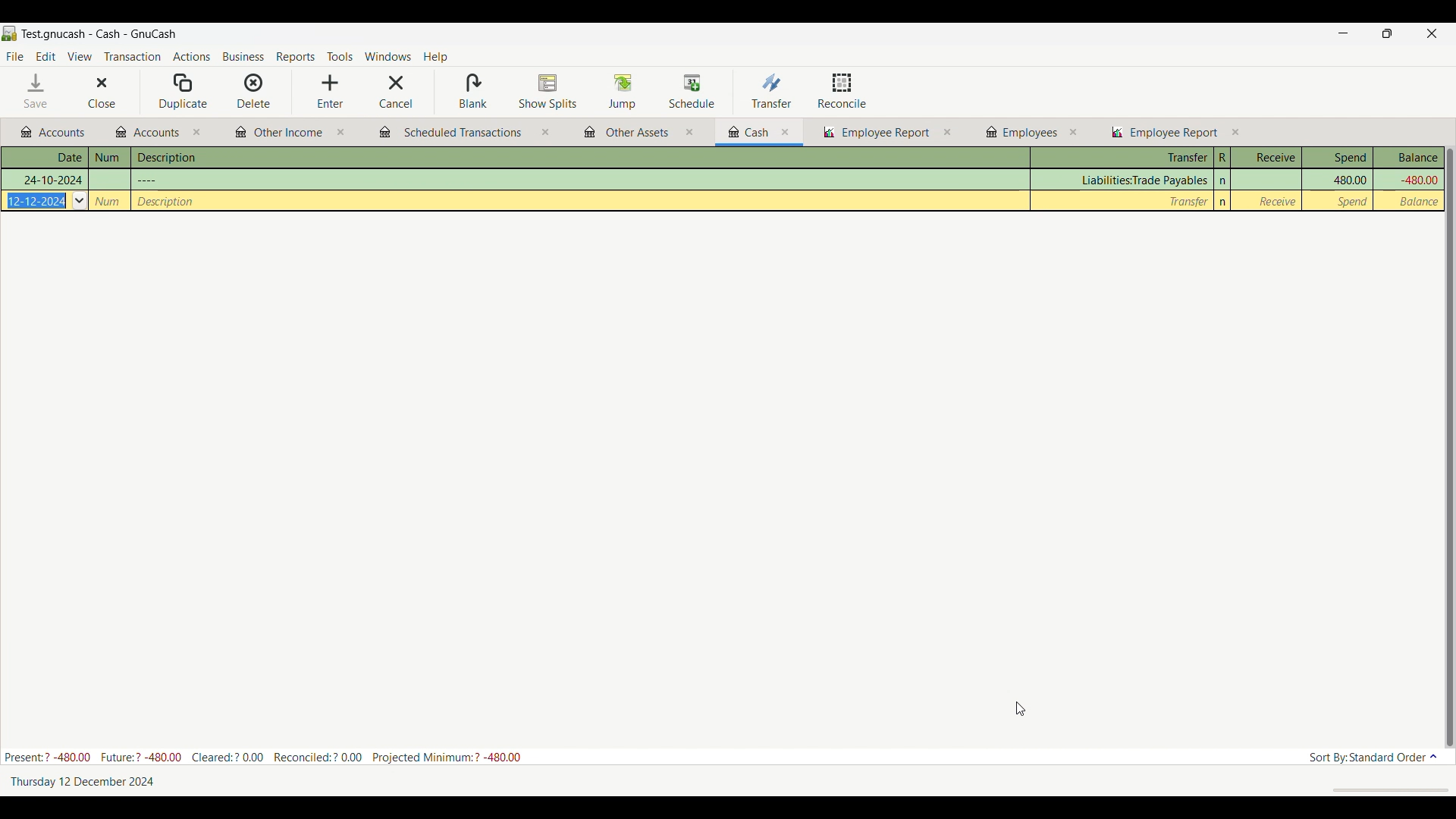  Describe the element at coordinates (52, 133) in the screenshot. I see `Other budgets and reports` at that location.